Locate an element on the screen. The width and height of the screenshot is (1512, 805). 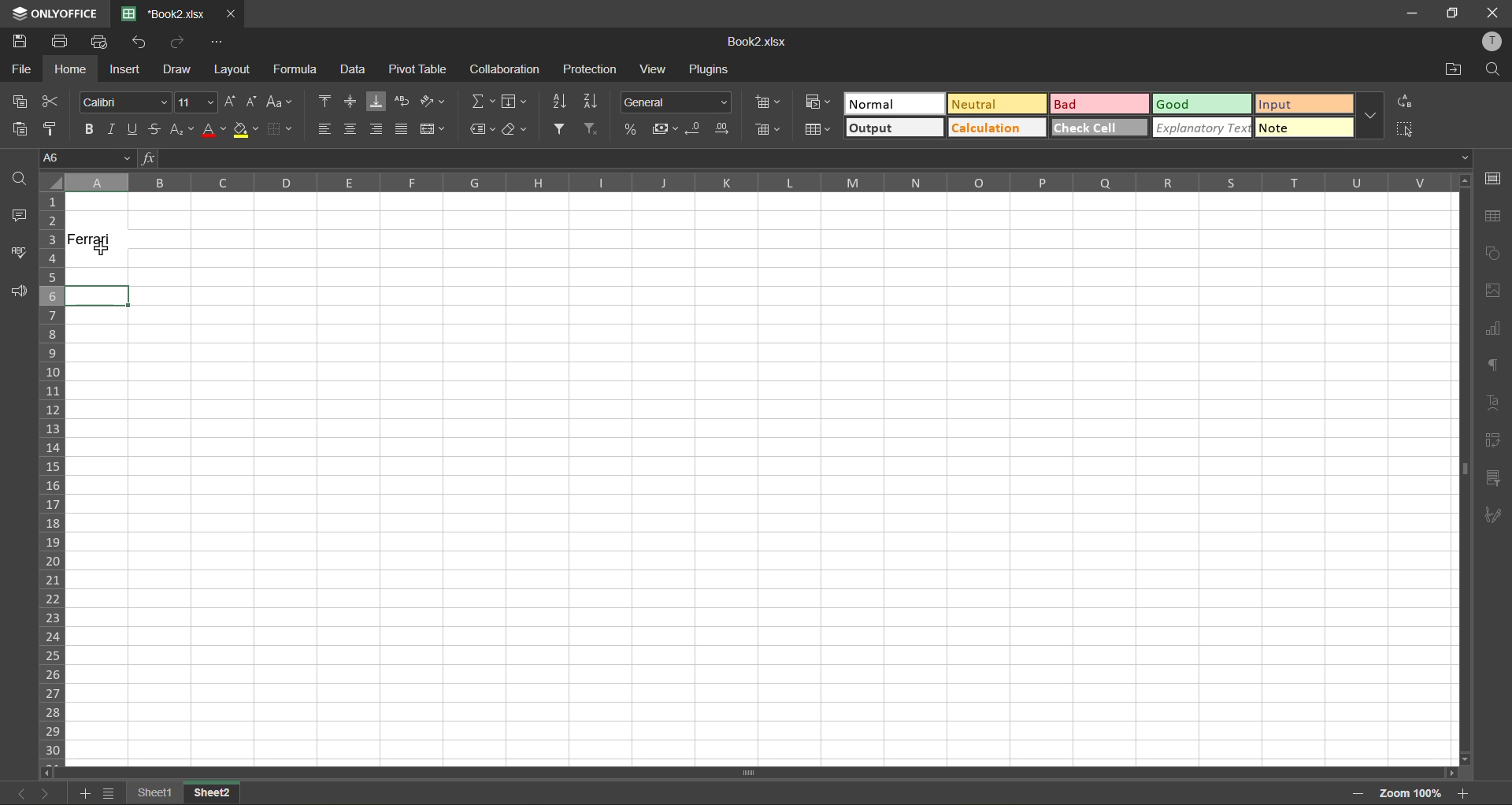
conditional formatting is located at coordinates (820, 103).